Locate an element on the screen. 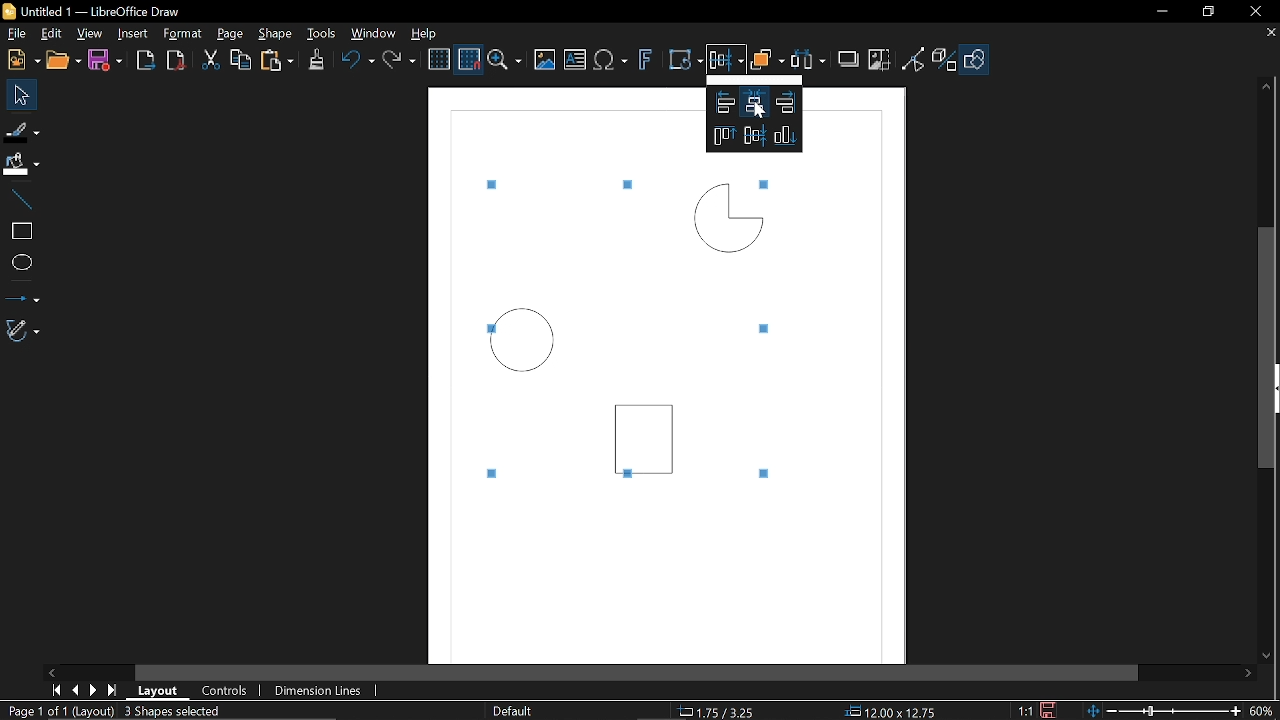 The width and height of the screenshot is (1280, 720). Close window is located at coordinates (1250, 12).